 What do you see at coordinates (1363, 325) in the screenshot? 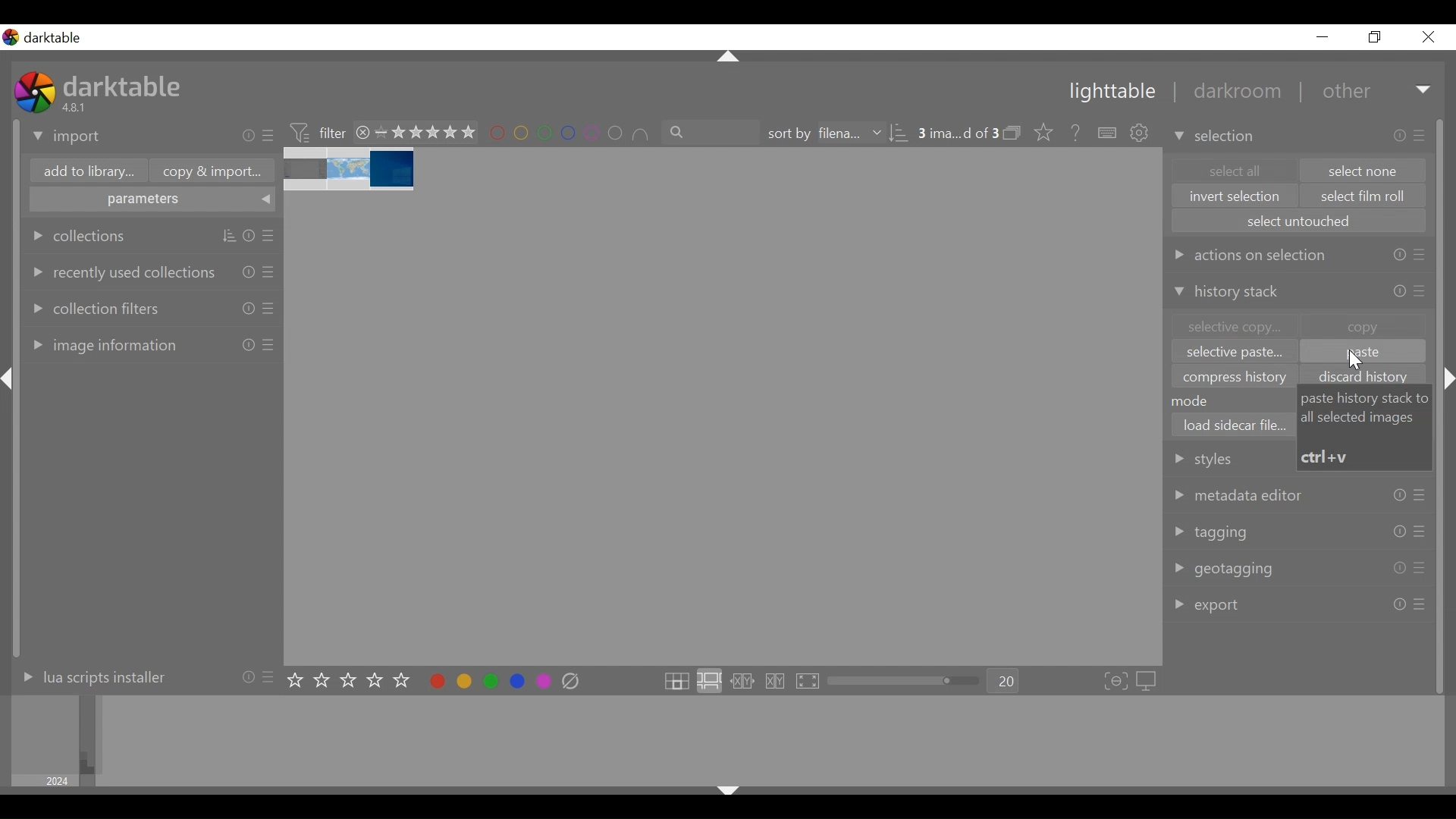
I see `copy` at bounding box center [1363, 325].